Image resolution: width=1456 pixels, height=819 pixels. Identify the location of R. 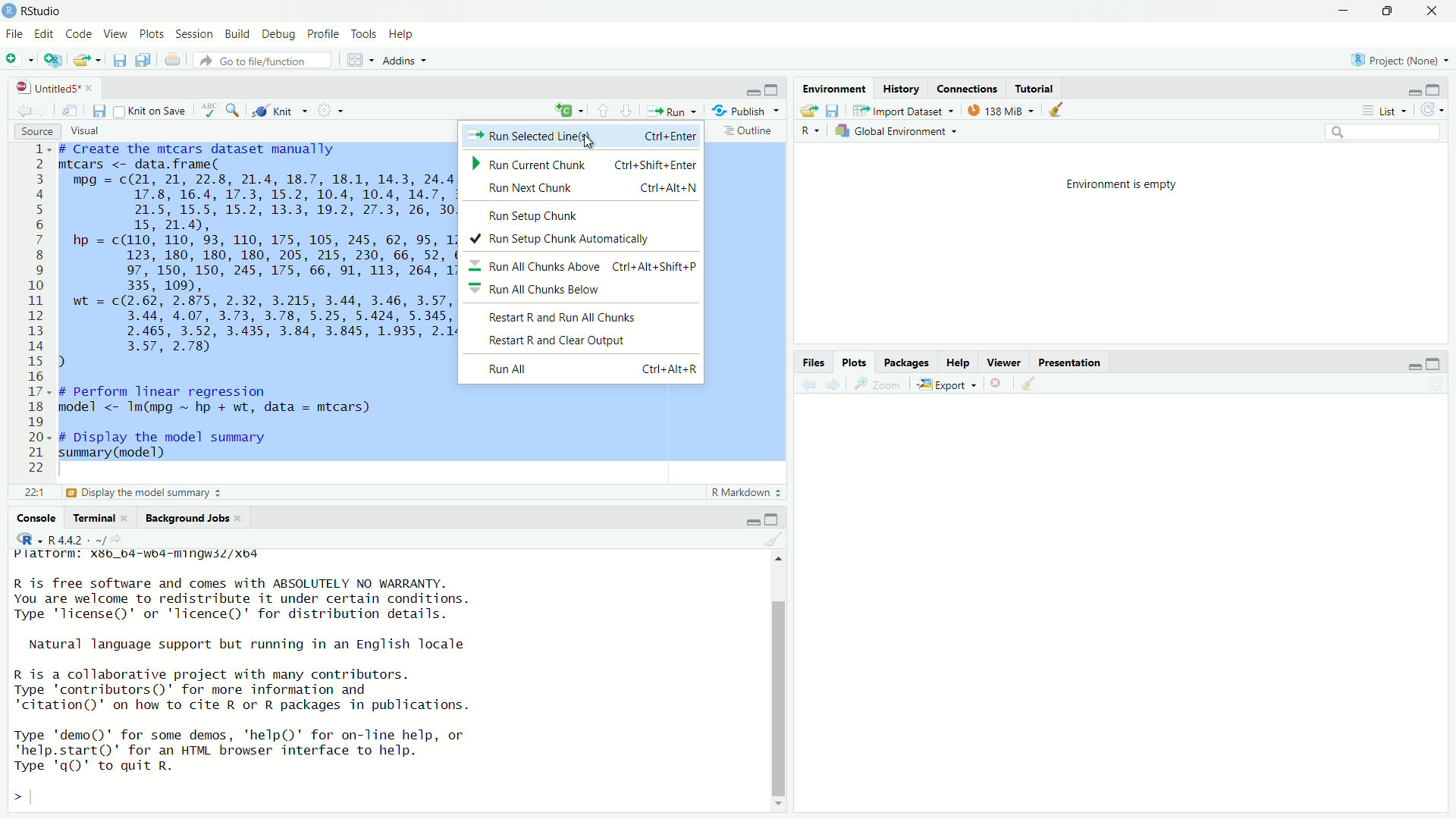
(811, 133).